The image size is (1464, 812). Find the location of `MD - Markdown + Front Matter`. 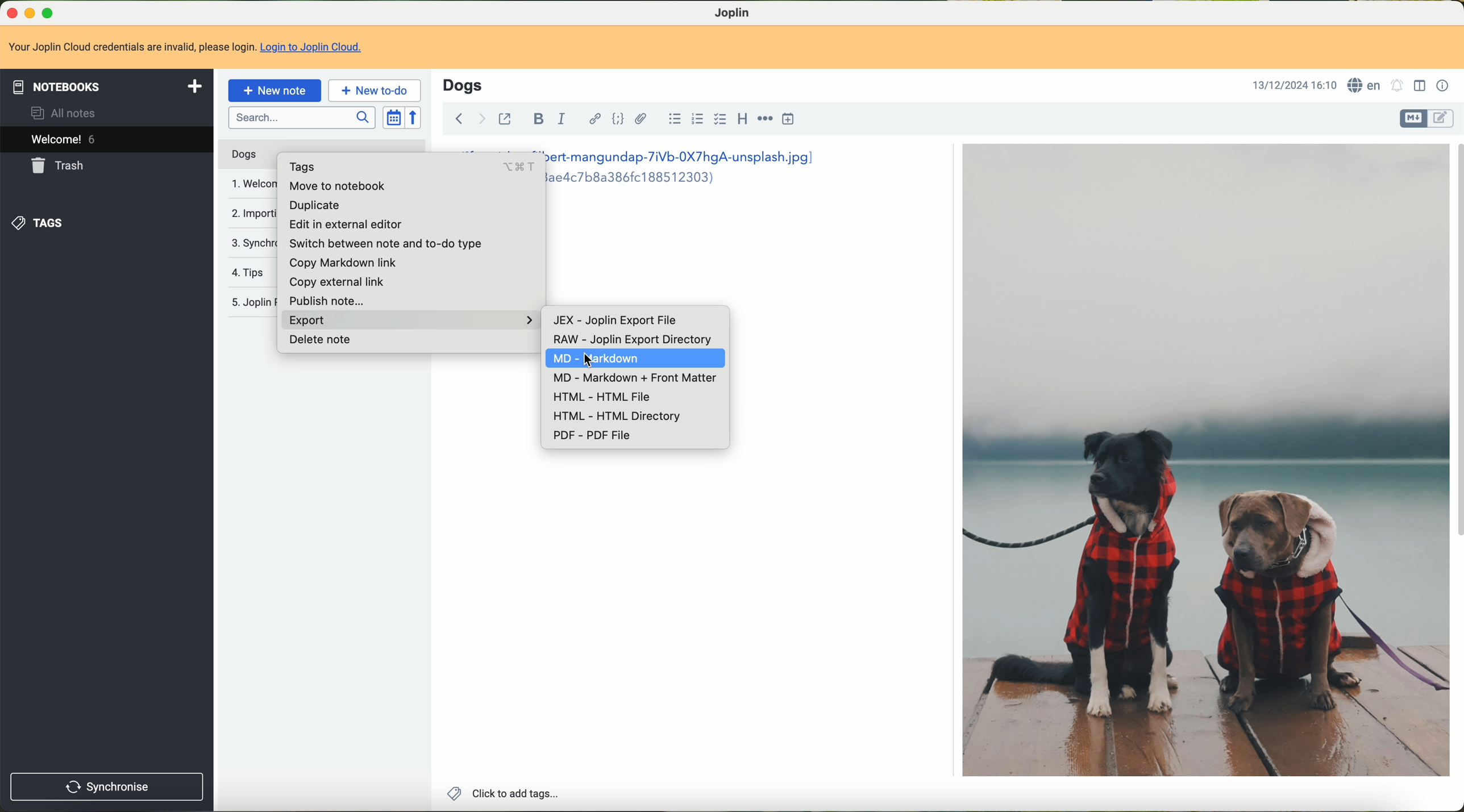

MD - Markdown + Front Matter is located at coordinates (630, 378).